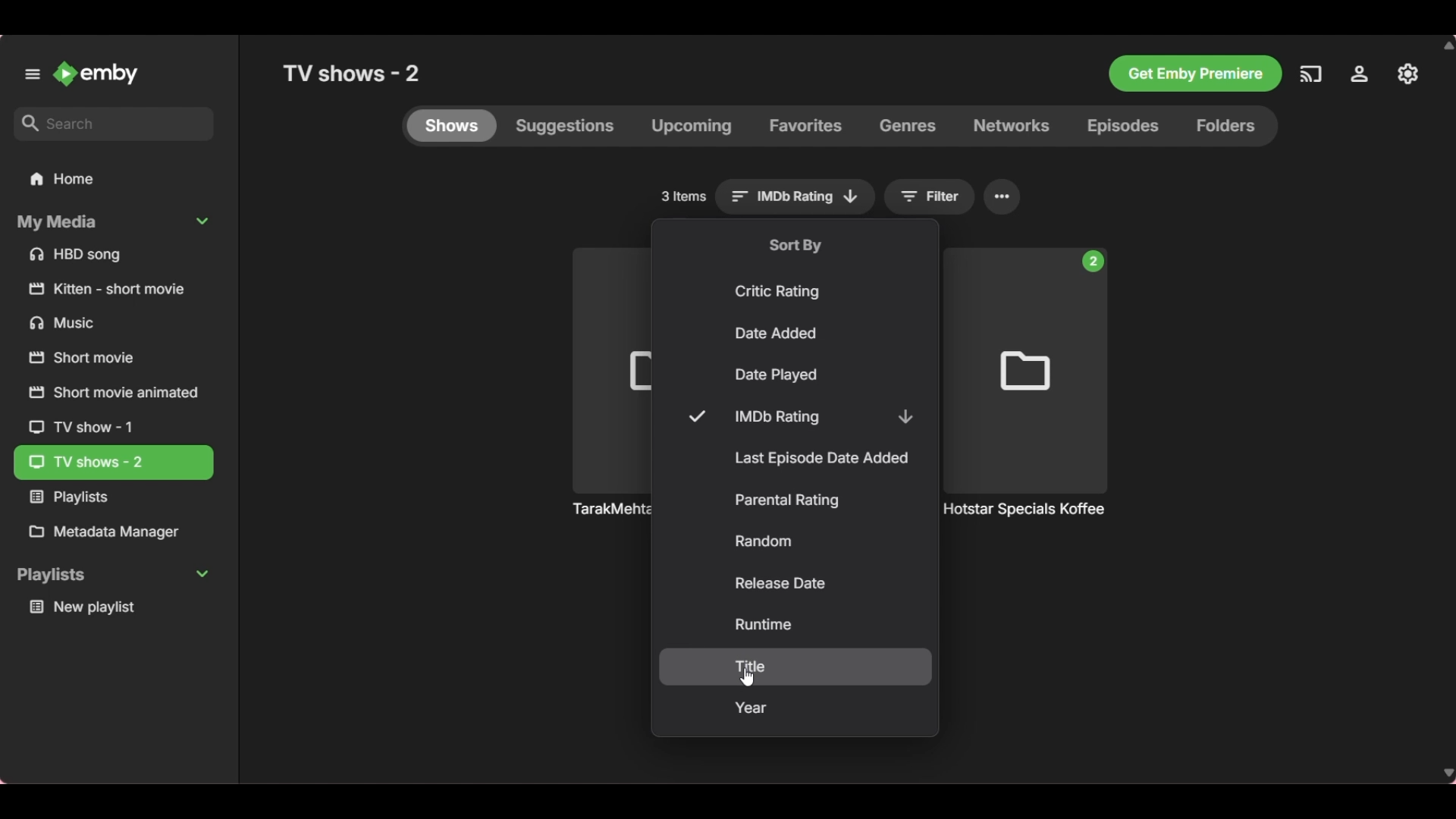 This screenshot has height=819, width=1456. What do you see at coordinates (1093, 262) in the screenshot?
I see `Number of files in folder` at bounding box center [1093, 262].